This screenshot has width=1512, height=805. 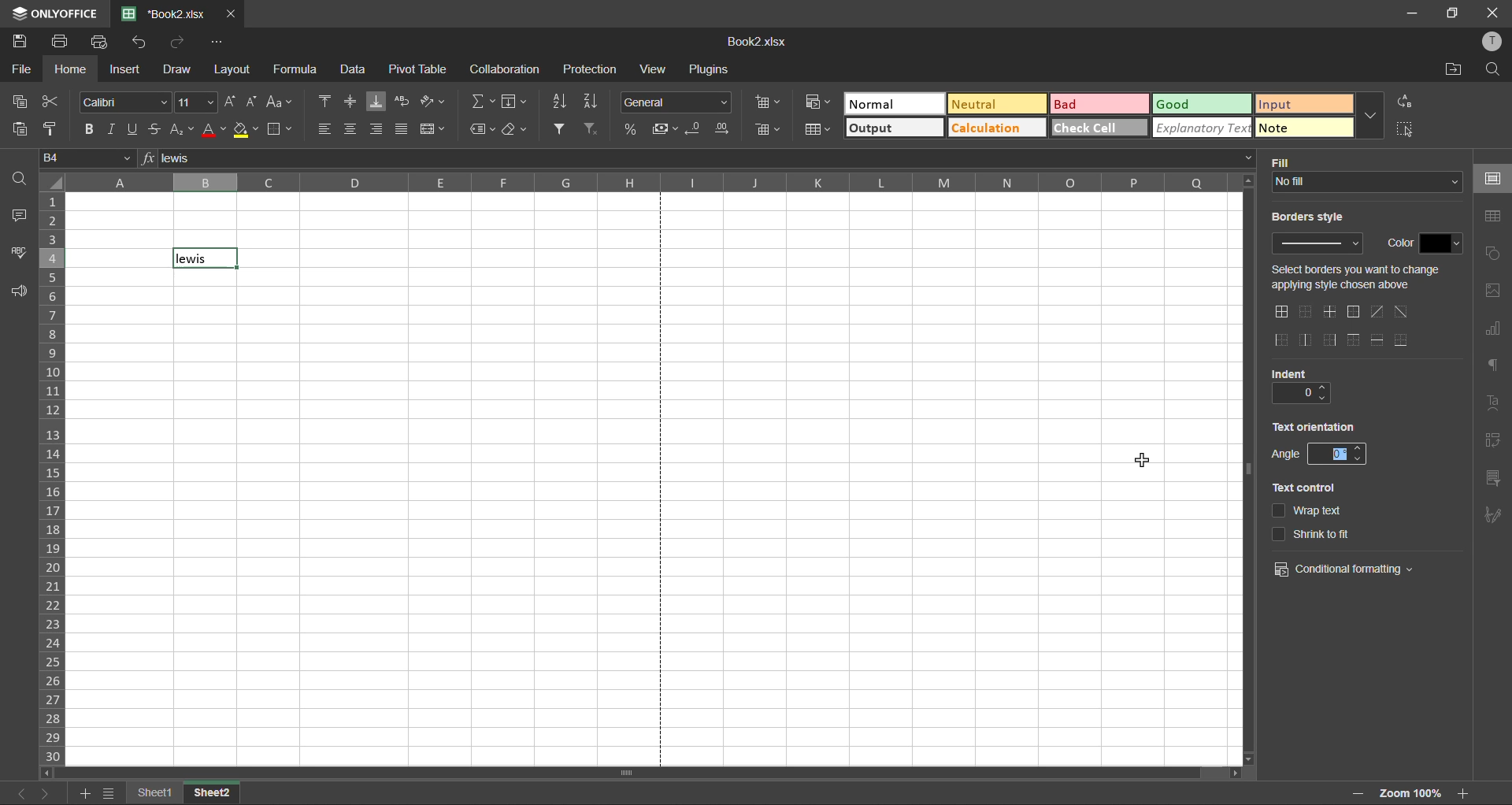 I want to click on calculation, so click(x=997, y=128).